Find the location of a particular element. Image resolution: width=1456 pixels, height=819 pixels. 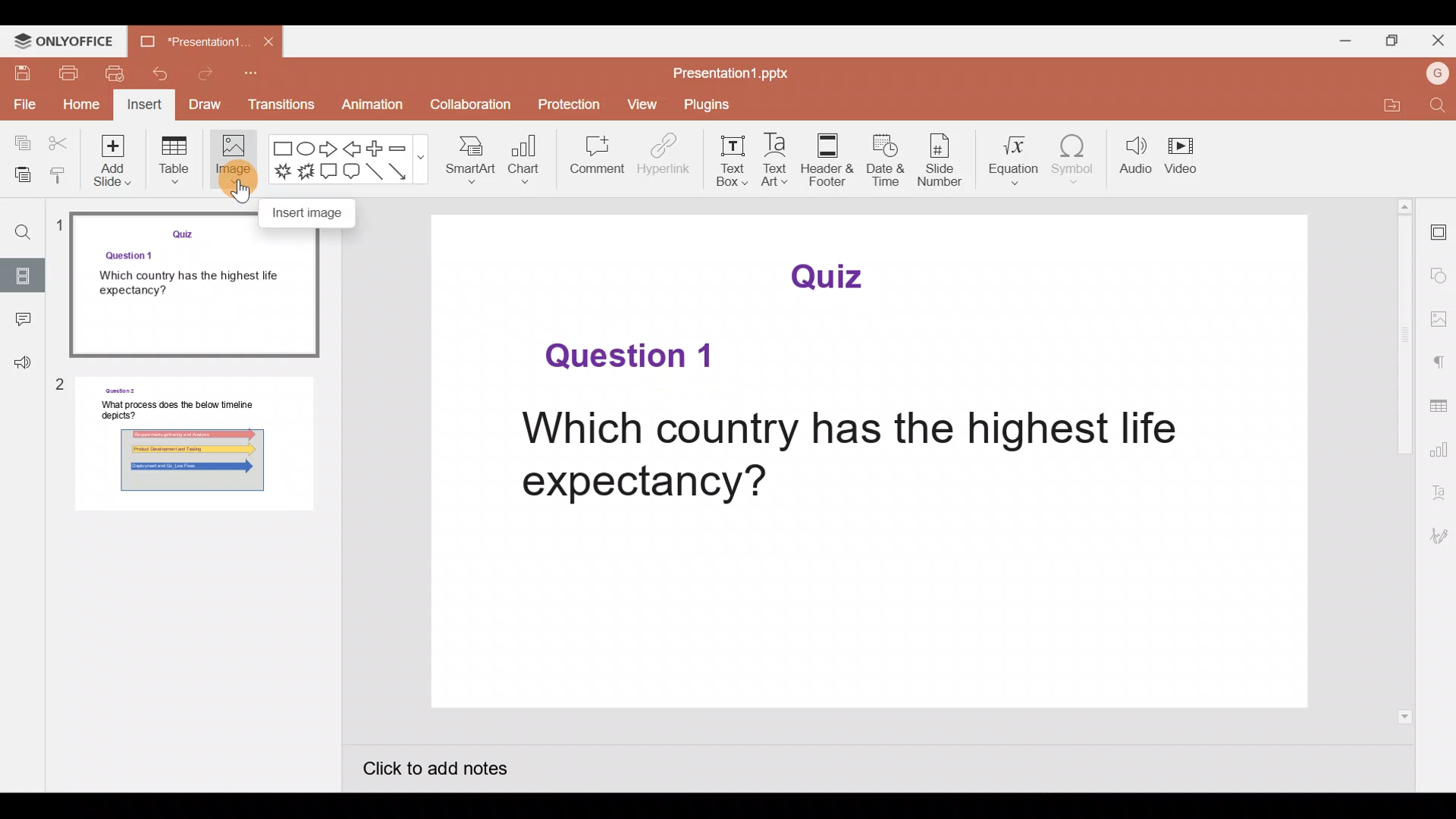

Table is located at coordinates (174, 165).